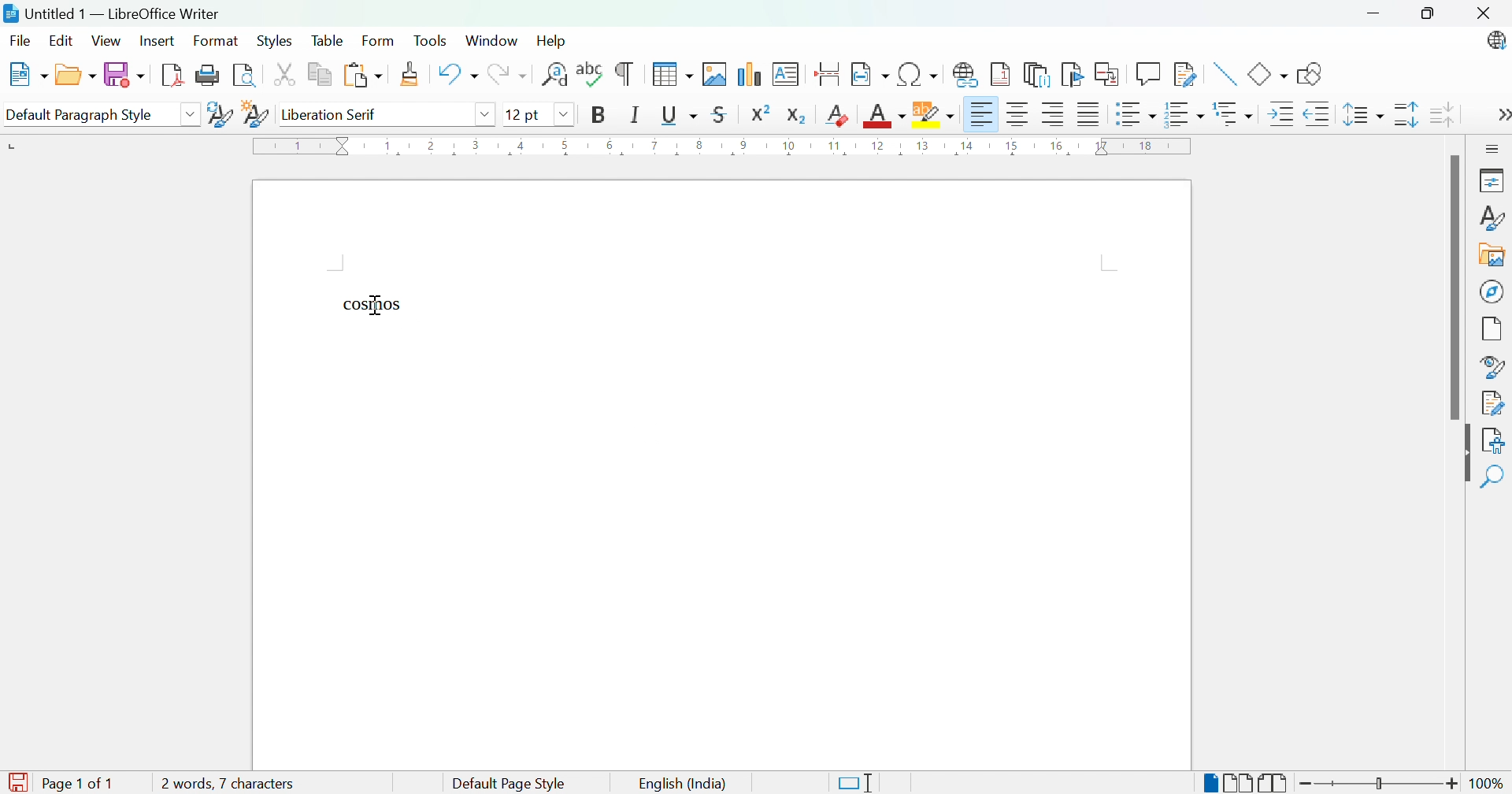  Describe the element at coordinates (126, 76) in the screenshot. I see `Save` at that location.